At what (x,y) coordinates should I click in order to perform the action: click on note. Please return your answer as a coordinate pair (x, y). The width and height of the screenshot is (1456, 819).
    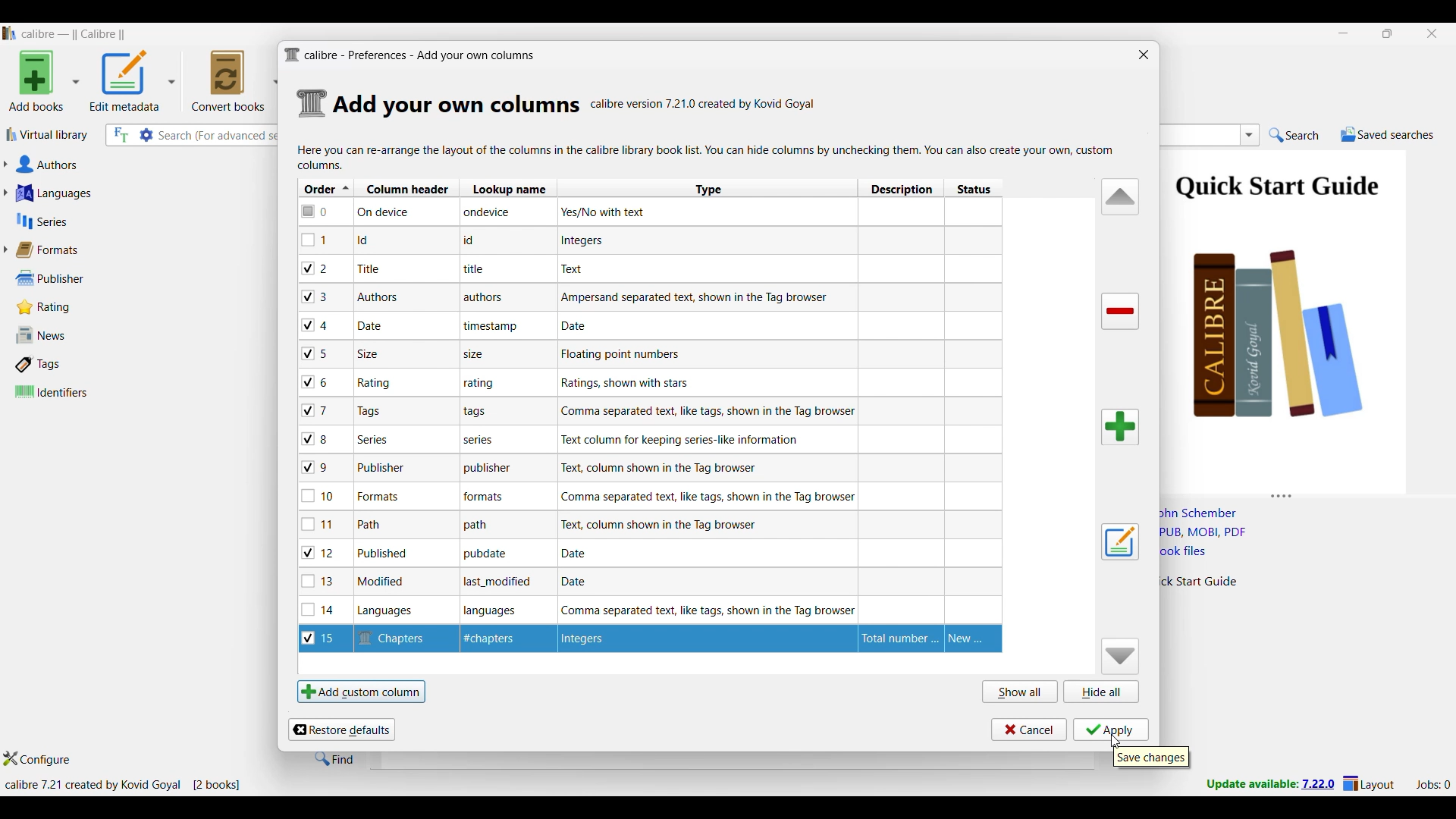
    Looking at the image, I should click on (486, 297).